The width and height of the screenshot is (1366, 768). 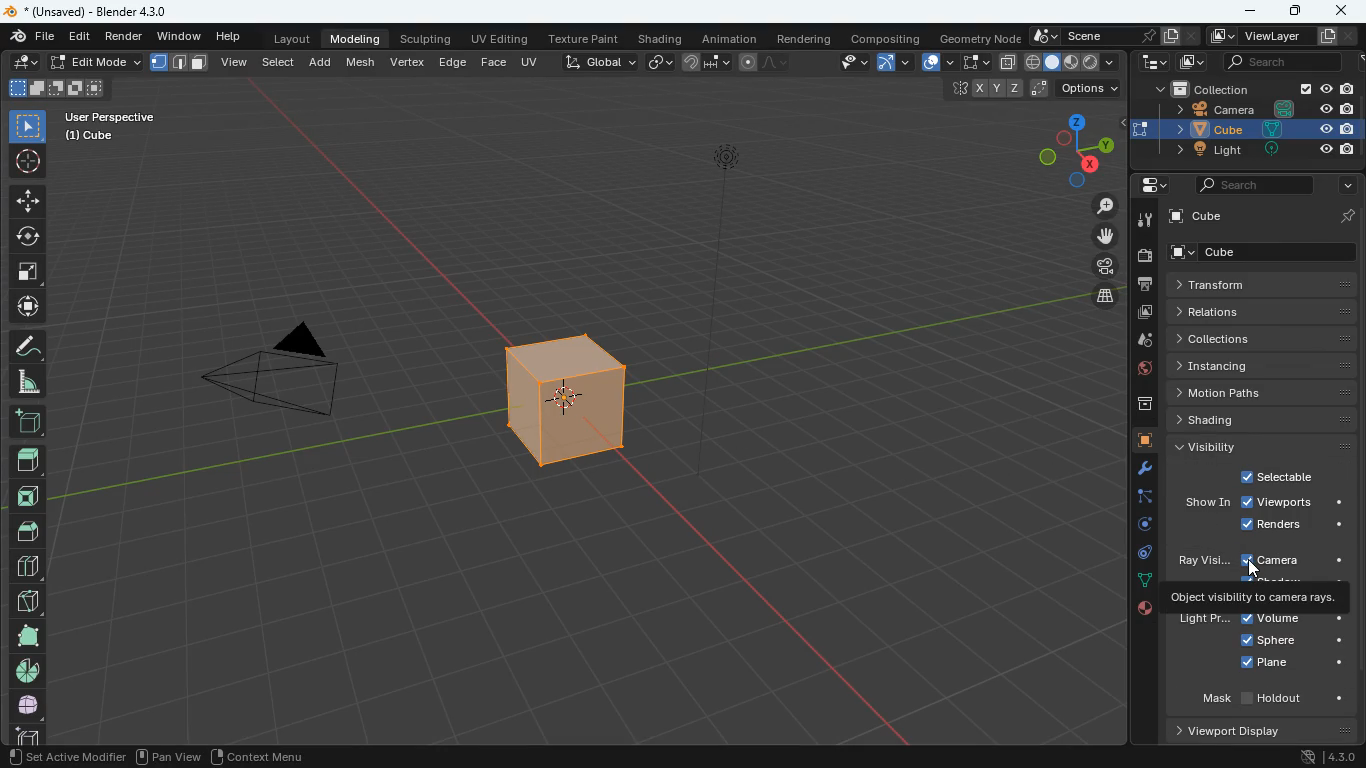 What do you see at coordinates (1257, 128) in the screenshot?
I see `cube` at bounding box center [1257, 128].